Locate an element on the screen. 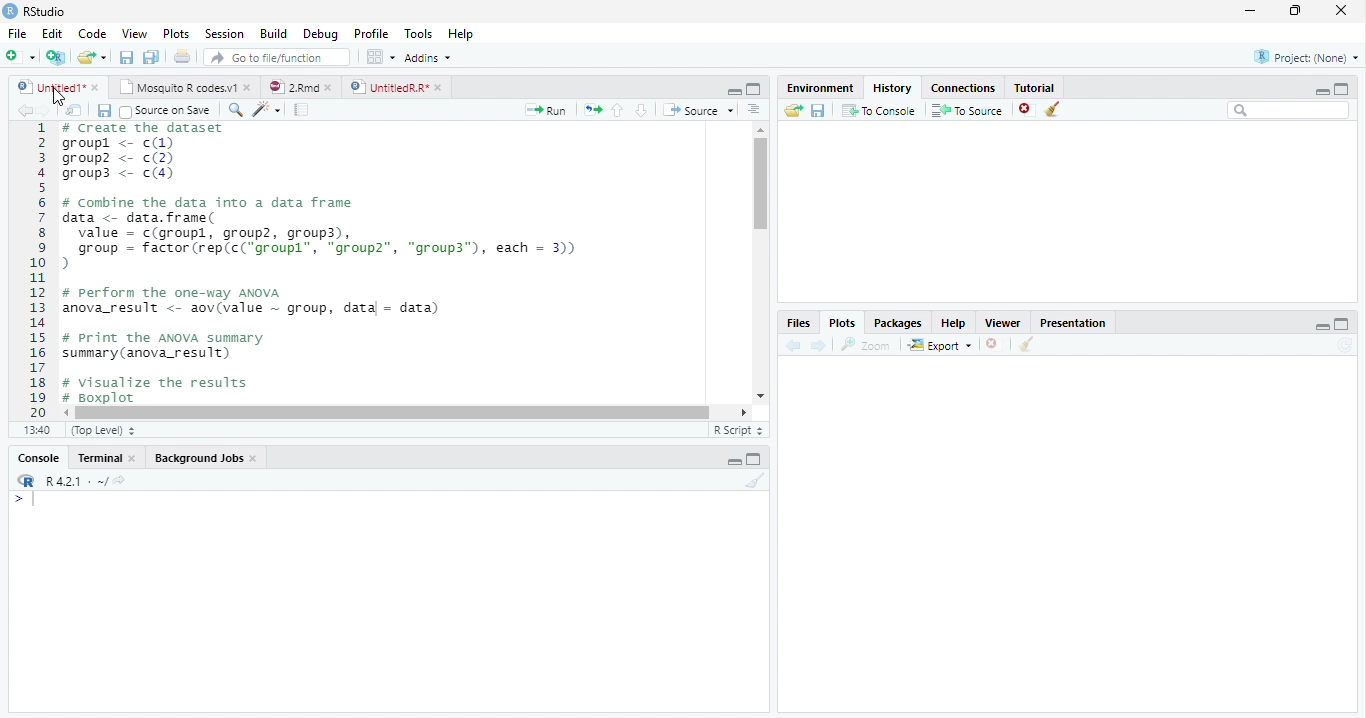 The image size is (1366, 718). Delete file is located at coordinates (1028, 109).